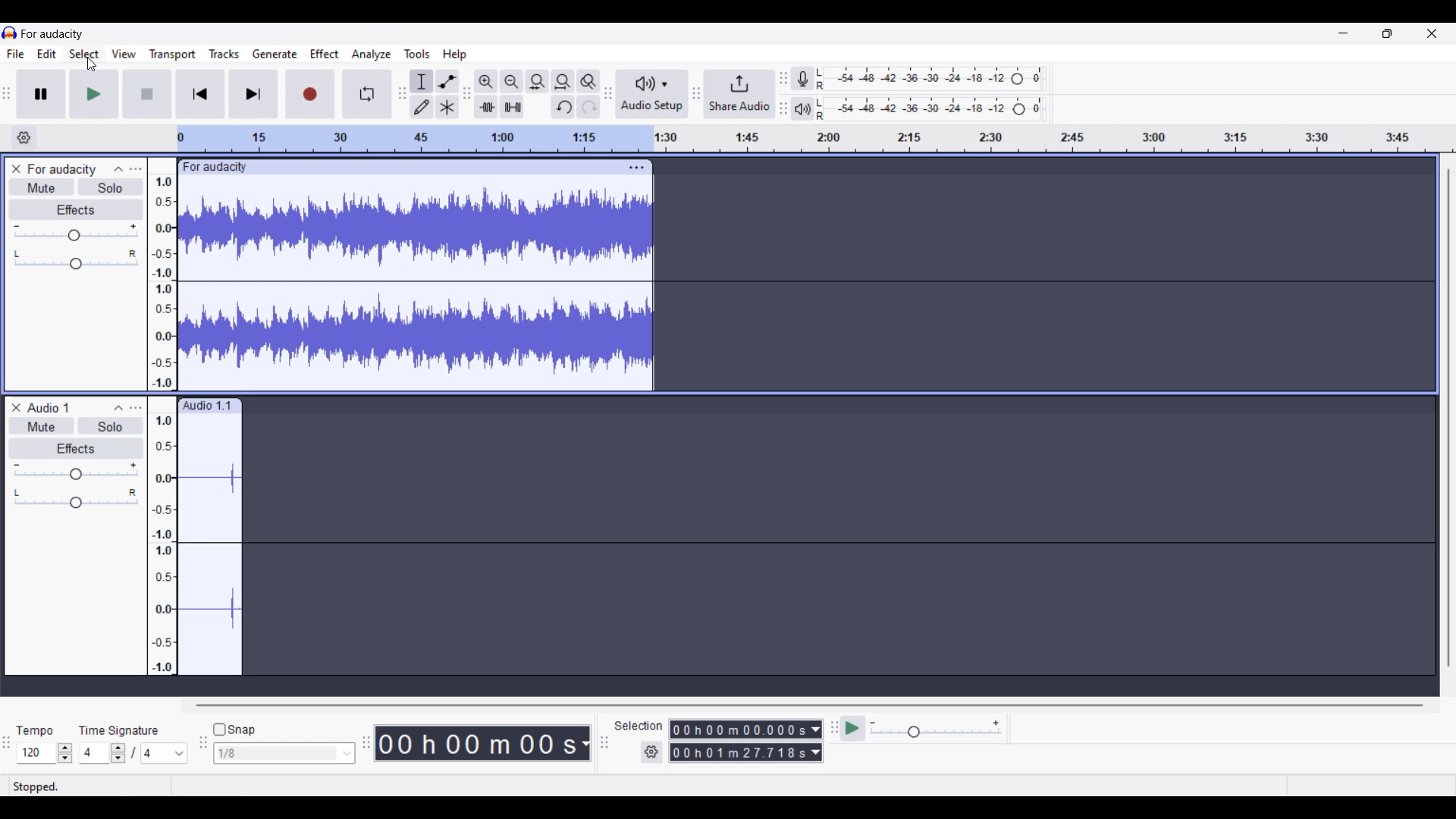  I want to click on Solo, so click(111, 187).